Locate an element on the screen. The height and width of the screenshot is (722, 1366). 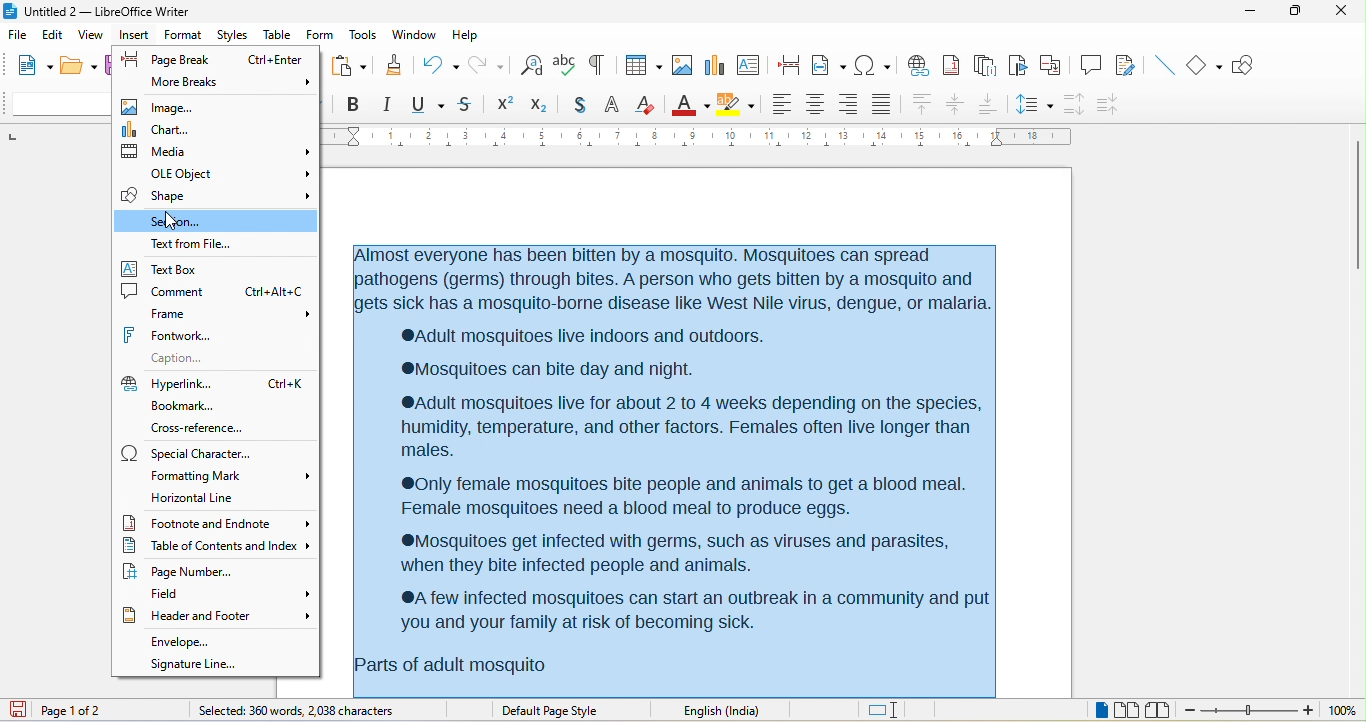
page break is located at coordinates (212, 58).